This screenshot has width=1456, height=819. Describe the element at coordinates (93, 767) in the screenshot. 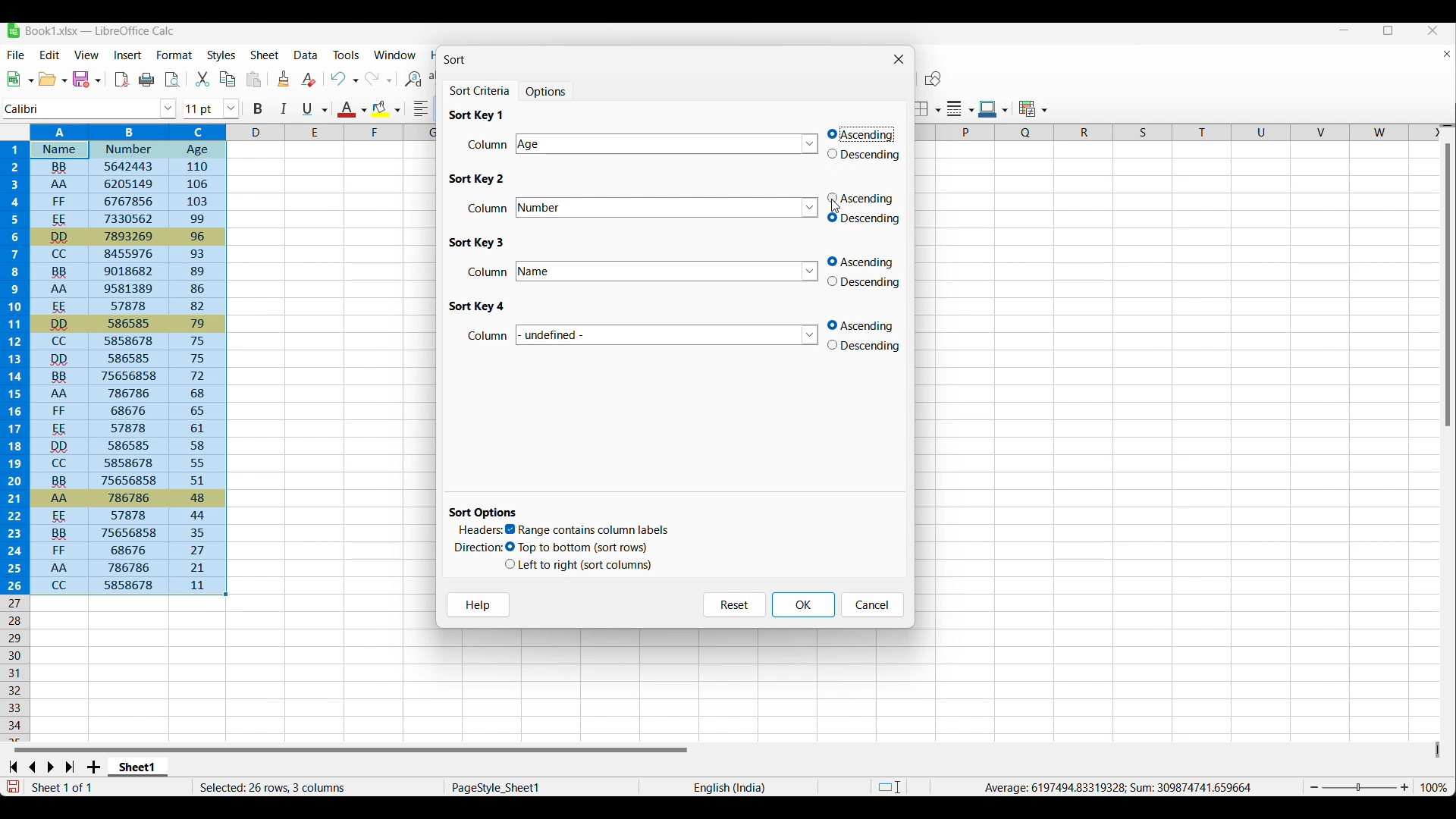

I see `Add sheet` at that location.